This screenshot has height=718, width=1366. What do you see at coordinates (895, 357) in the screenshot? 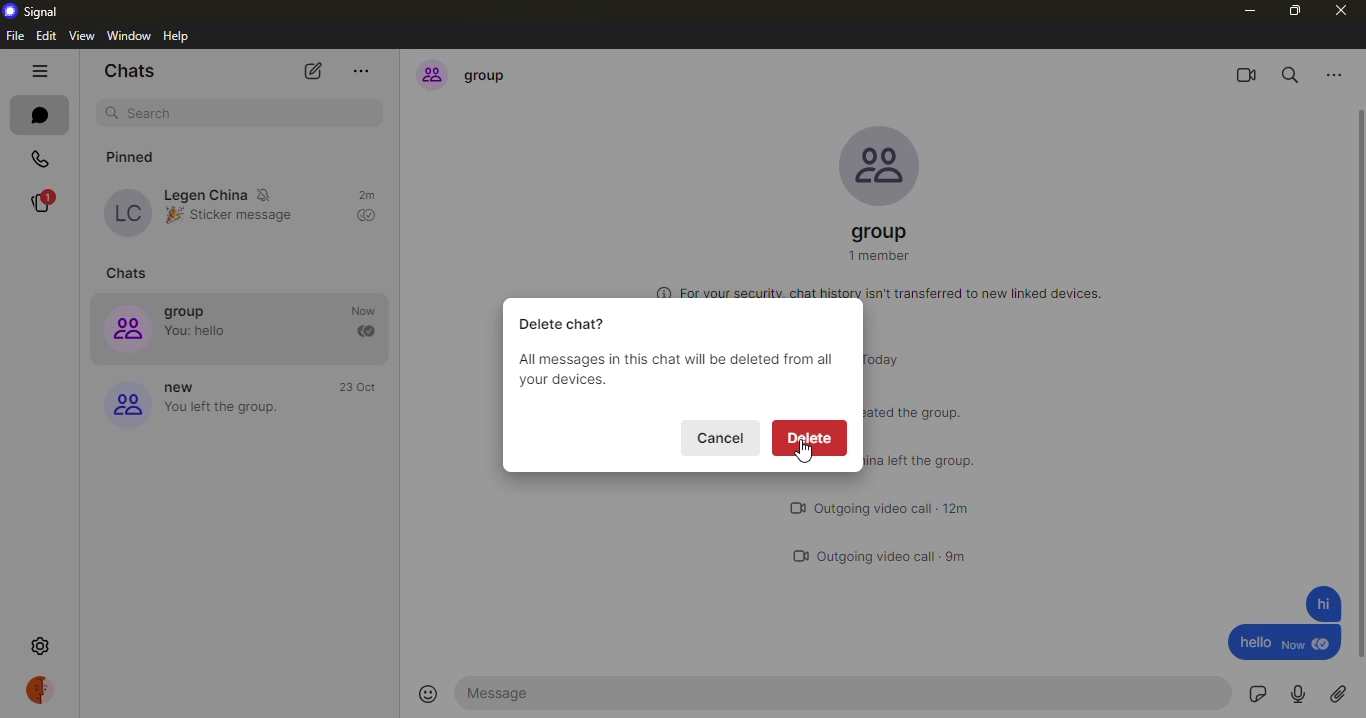
I see `today` at bounding box center [895, 357].